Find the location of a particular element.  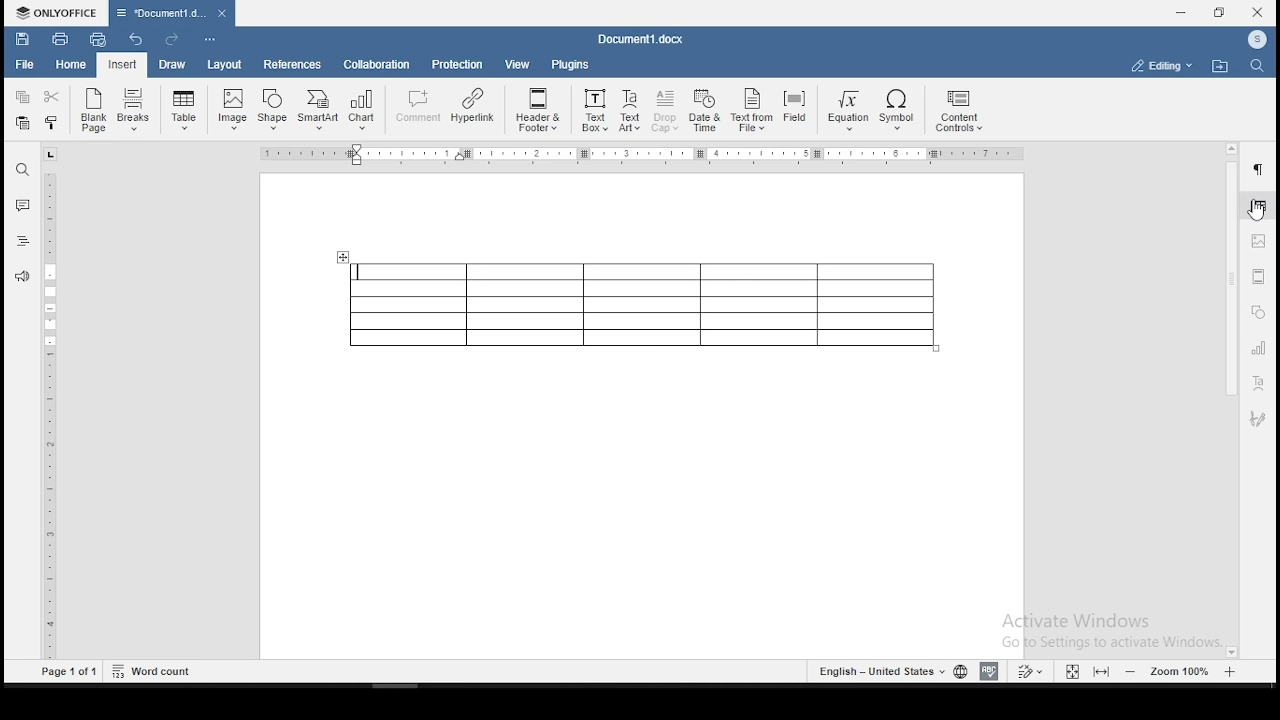

Page1 of 1 is located at coordinates (70, 673).